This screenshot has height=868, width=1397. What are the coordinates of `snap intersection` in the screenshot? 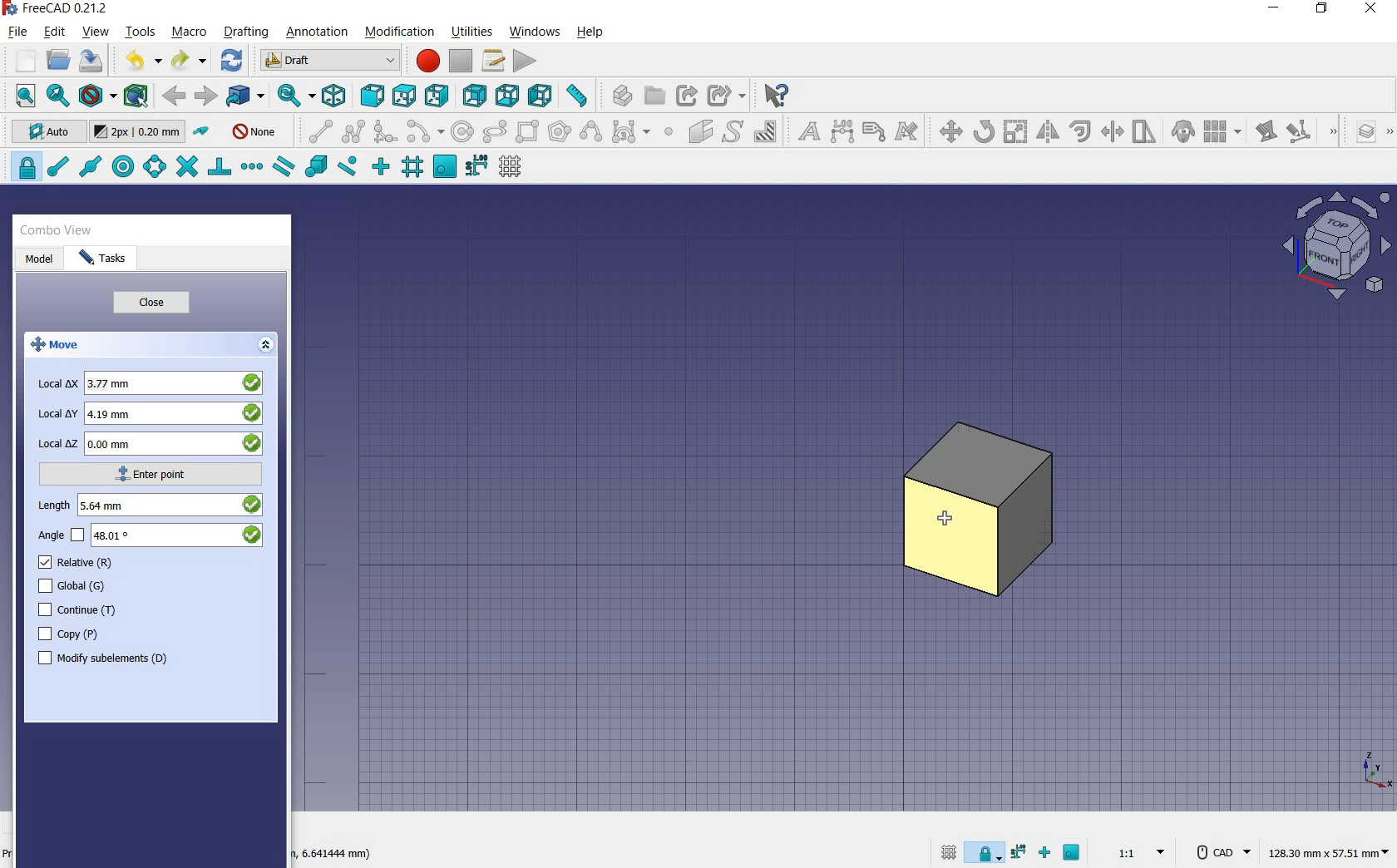 It's located at (189, 166).